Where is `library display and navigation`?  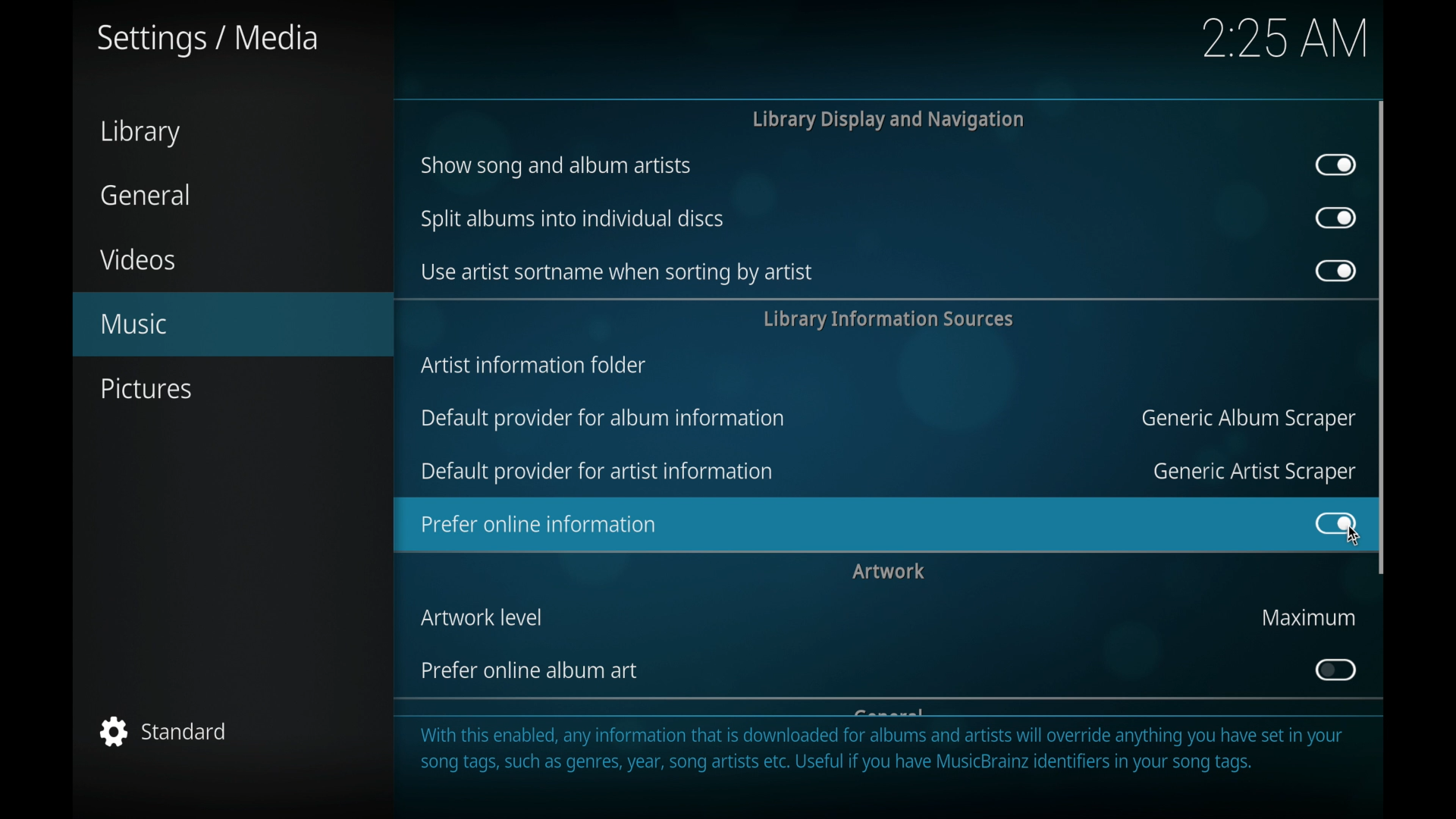
library display and navigation is located at coordinates (887, 120).